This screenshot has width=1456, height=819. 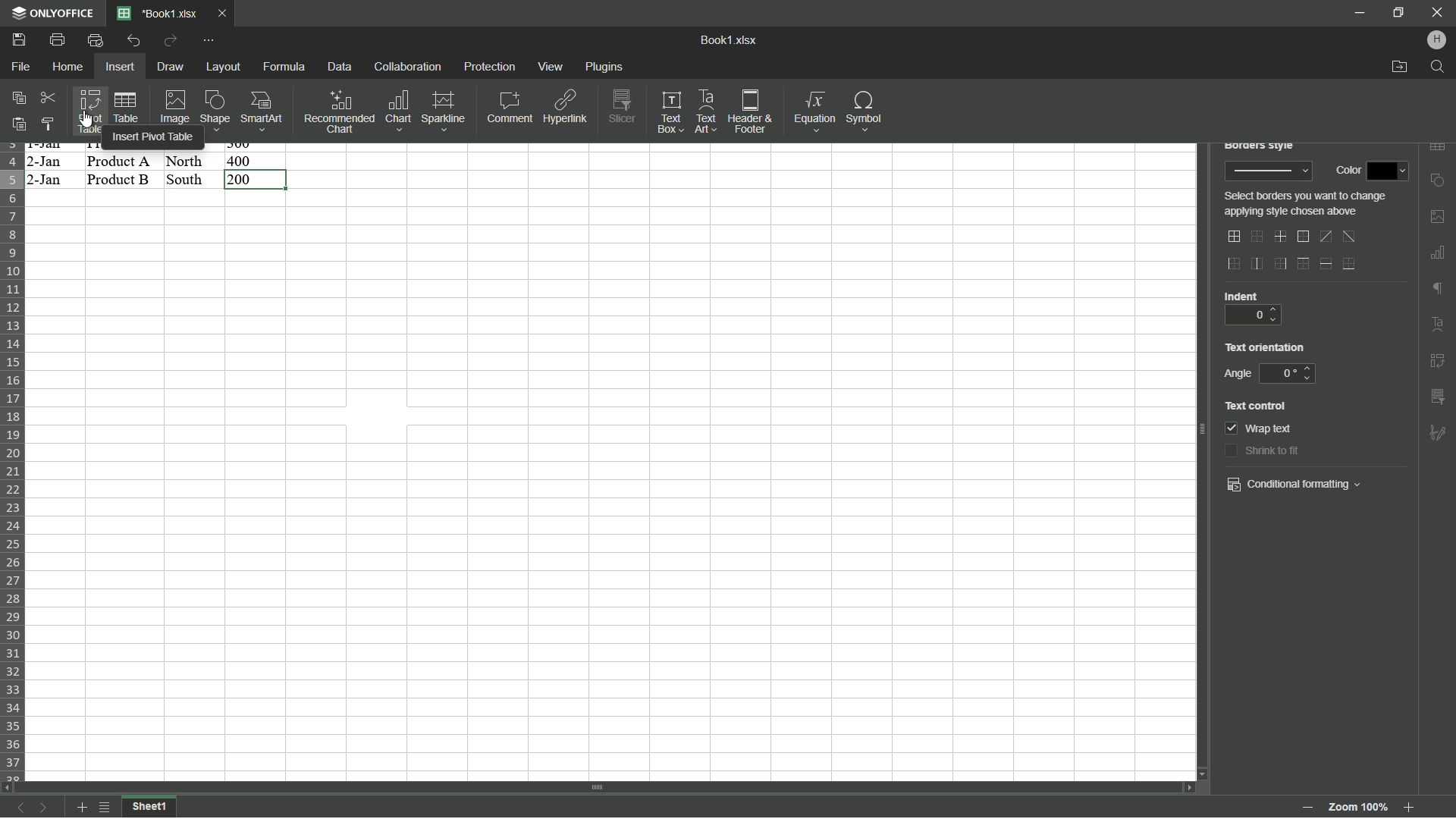 What do you see at coordinates (1200, 431) in the screenshot?
I see `scroll bar` at bounding box center [1200, 431].